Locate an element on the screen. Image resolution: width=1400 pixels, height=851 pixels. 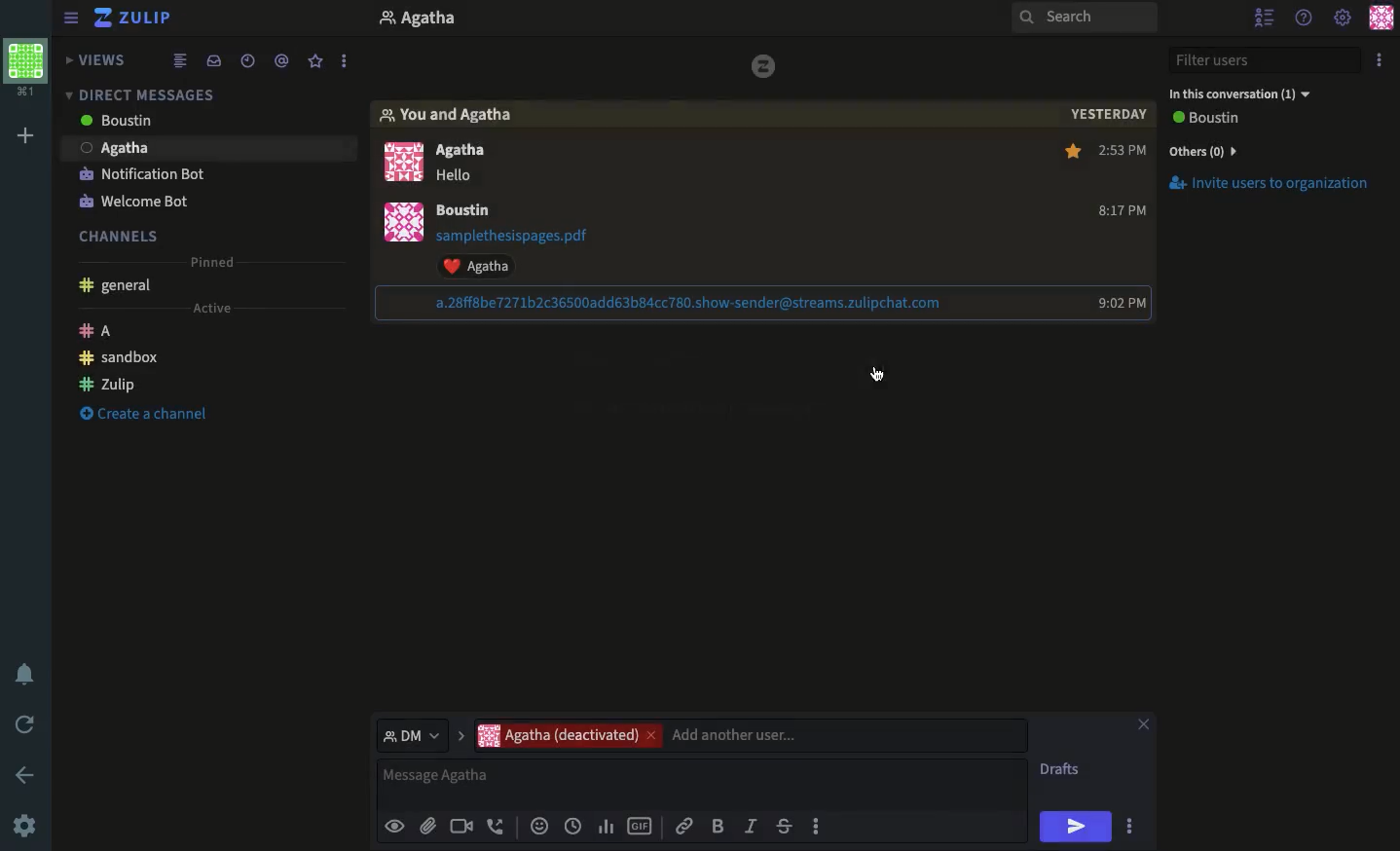
Message is located at coordinates (705, 784).